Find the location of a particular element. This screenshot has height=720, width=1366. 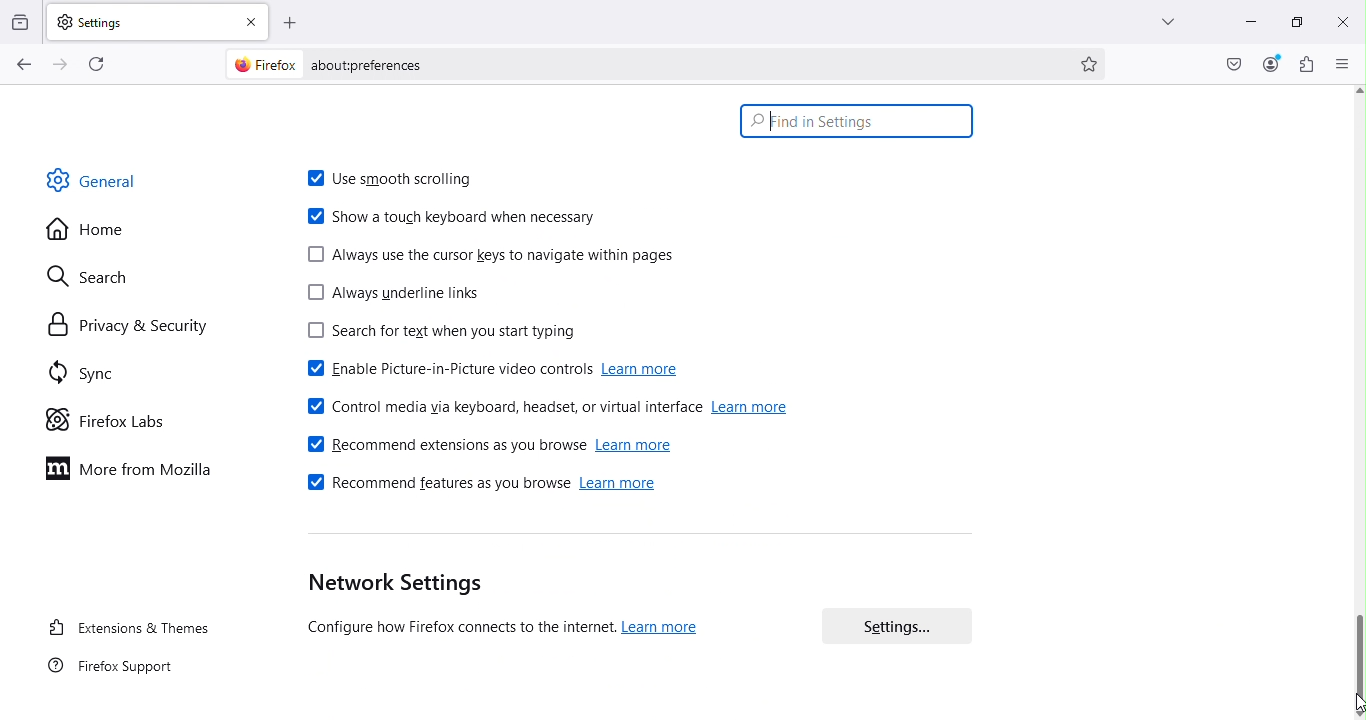

More from Mozilla is located at coordinates (135, 473).